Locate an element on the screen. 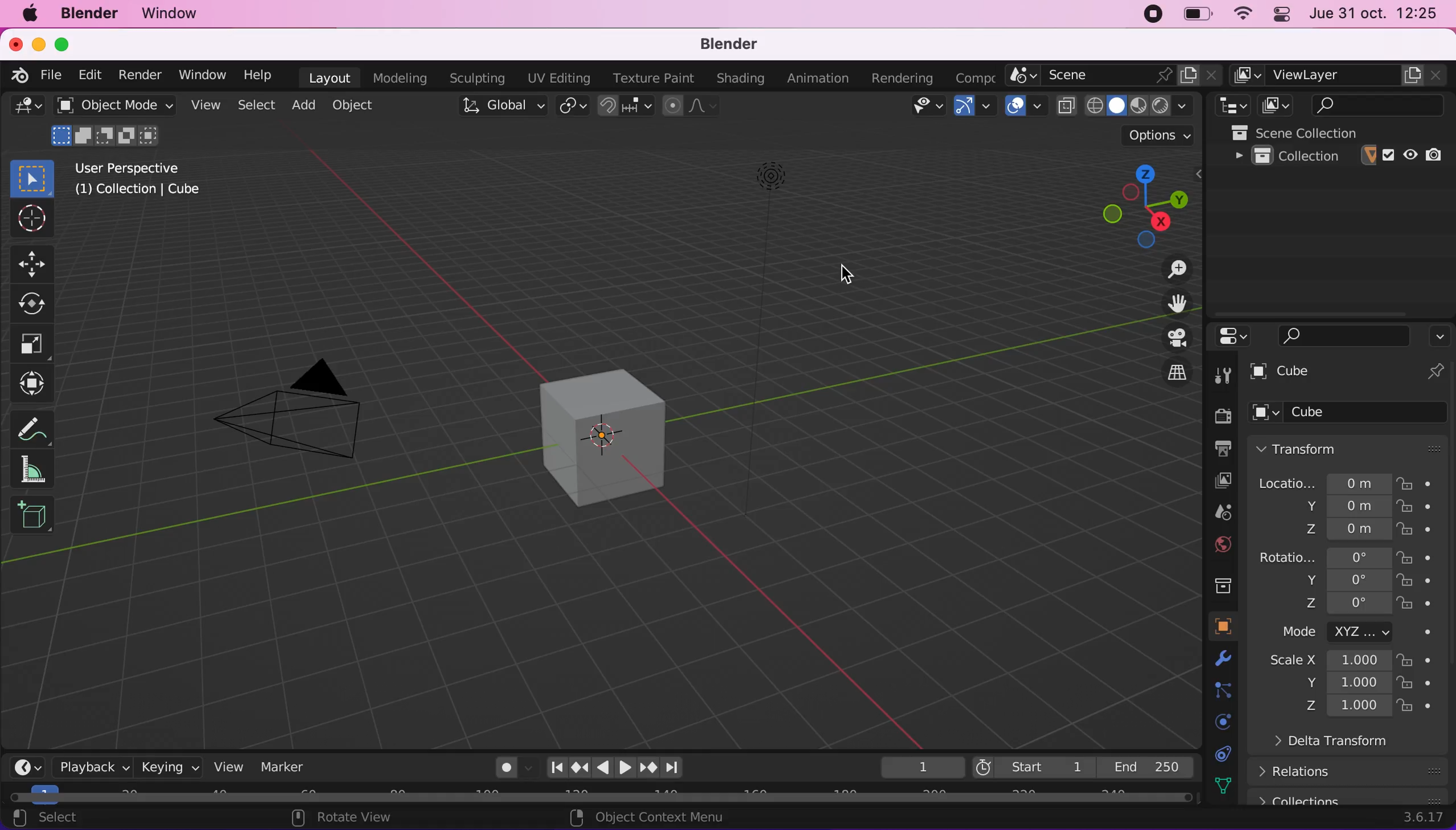 This screenshot has height=830, width=1456. scene is located at coordinates (1213, 514).